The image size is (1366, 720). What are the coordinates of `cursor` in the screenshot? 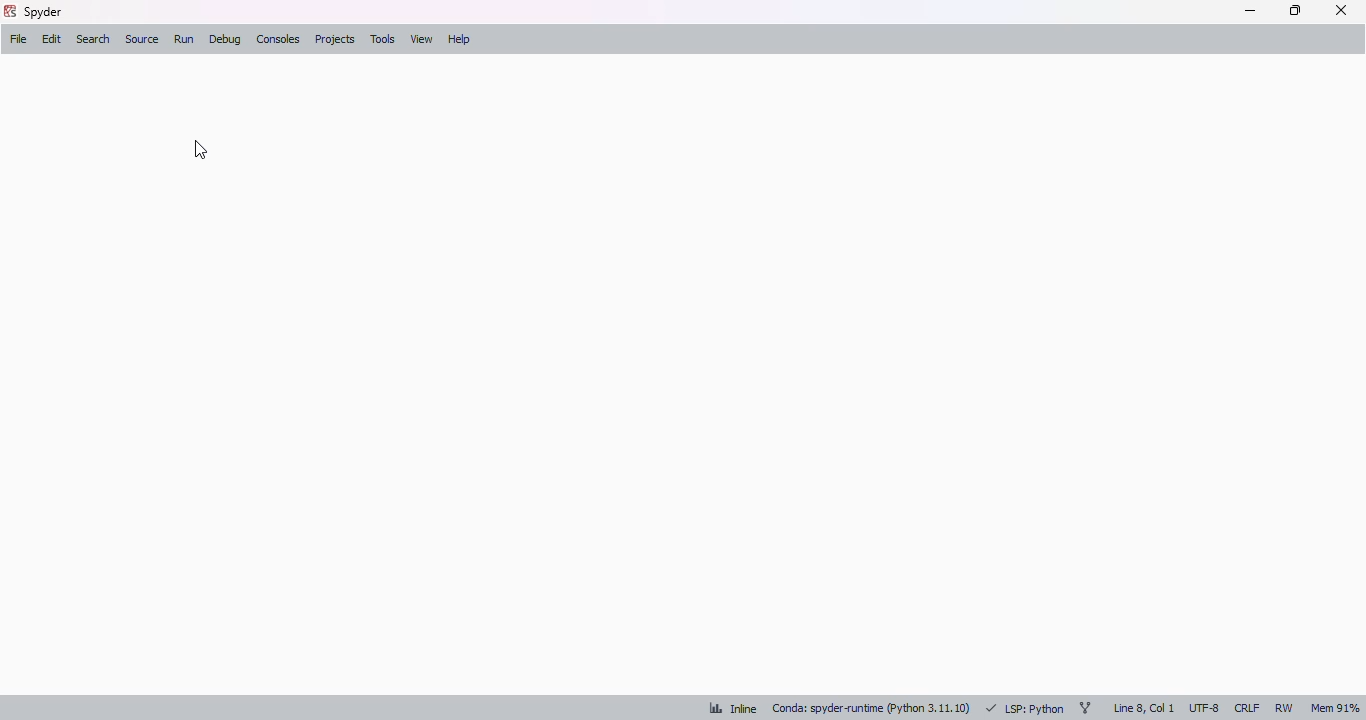 It's located at (200, 148).